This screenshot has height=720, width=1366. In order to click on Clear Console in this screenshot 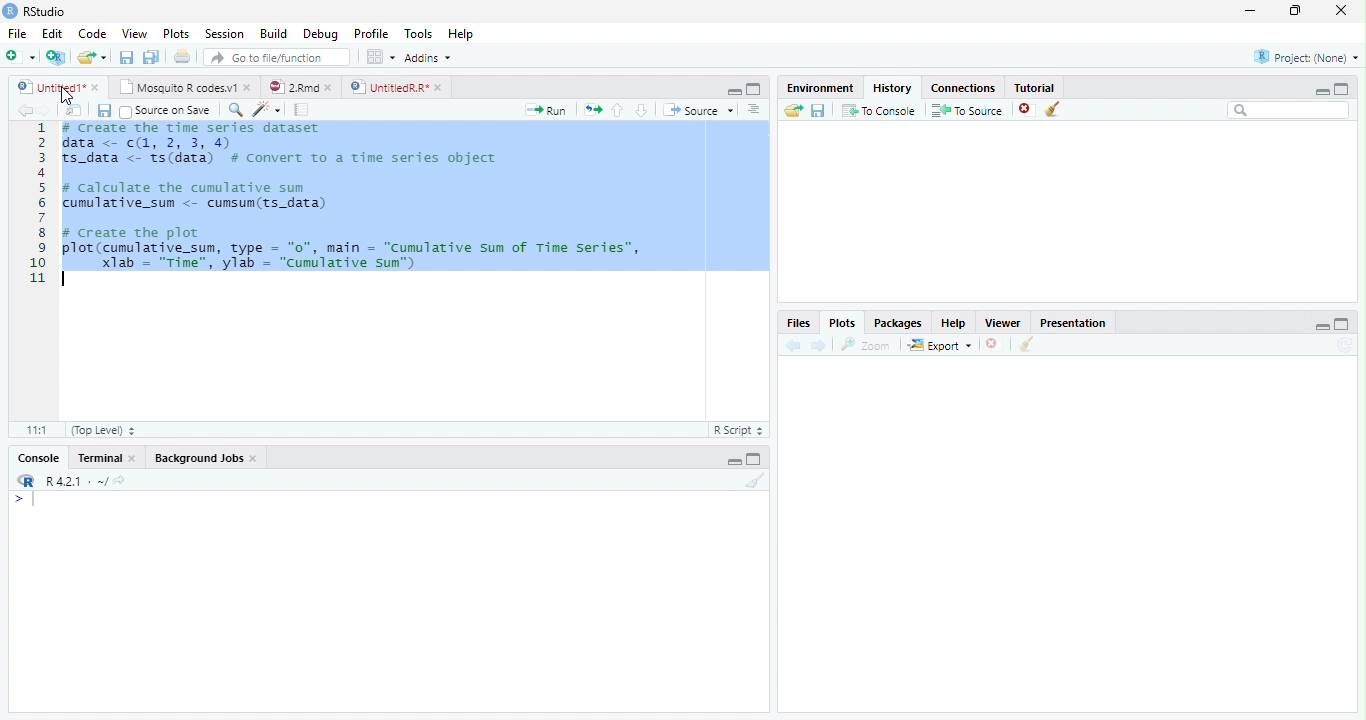, I will do `click(1026, 346)`.